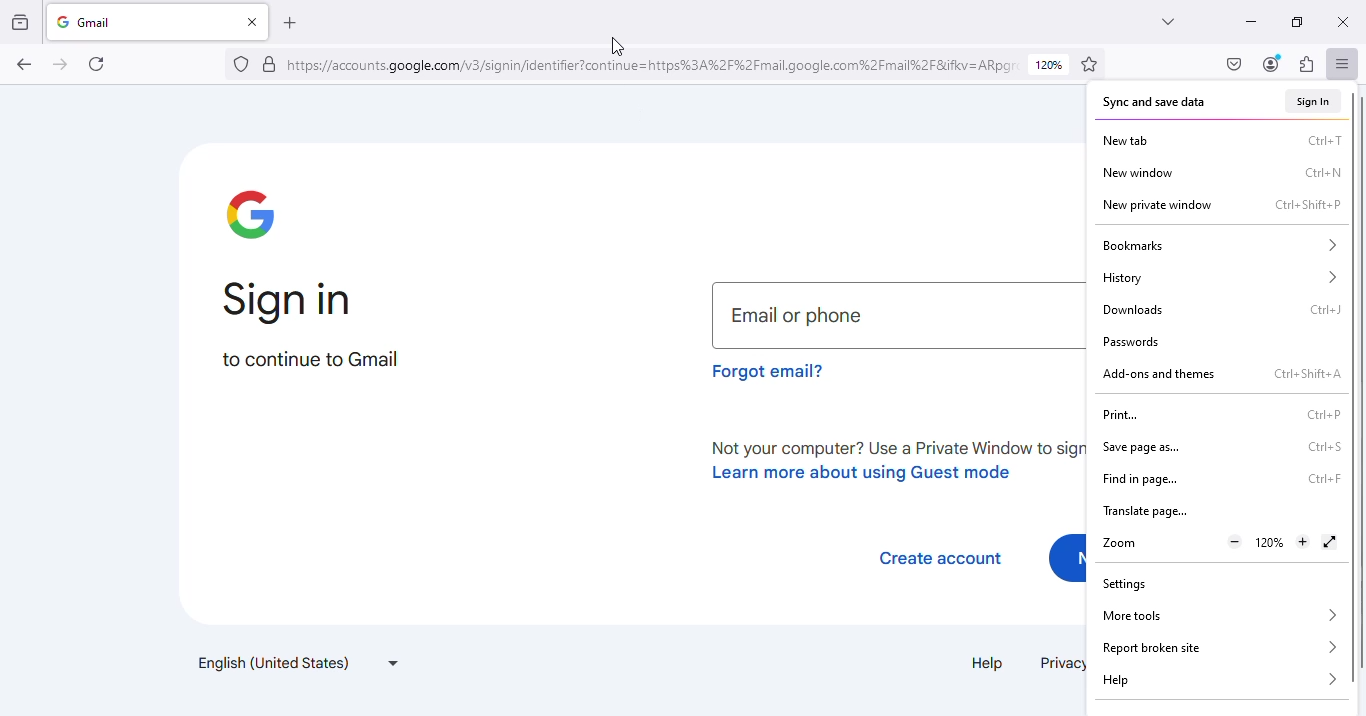  Describe the element at coordinates (1125, 140) in the screenshot. I see `new tab` at that location.